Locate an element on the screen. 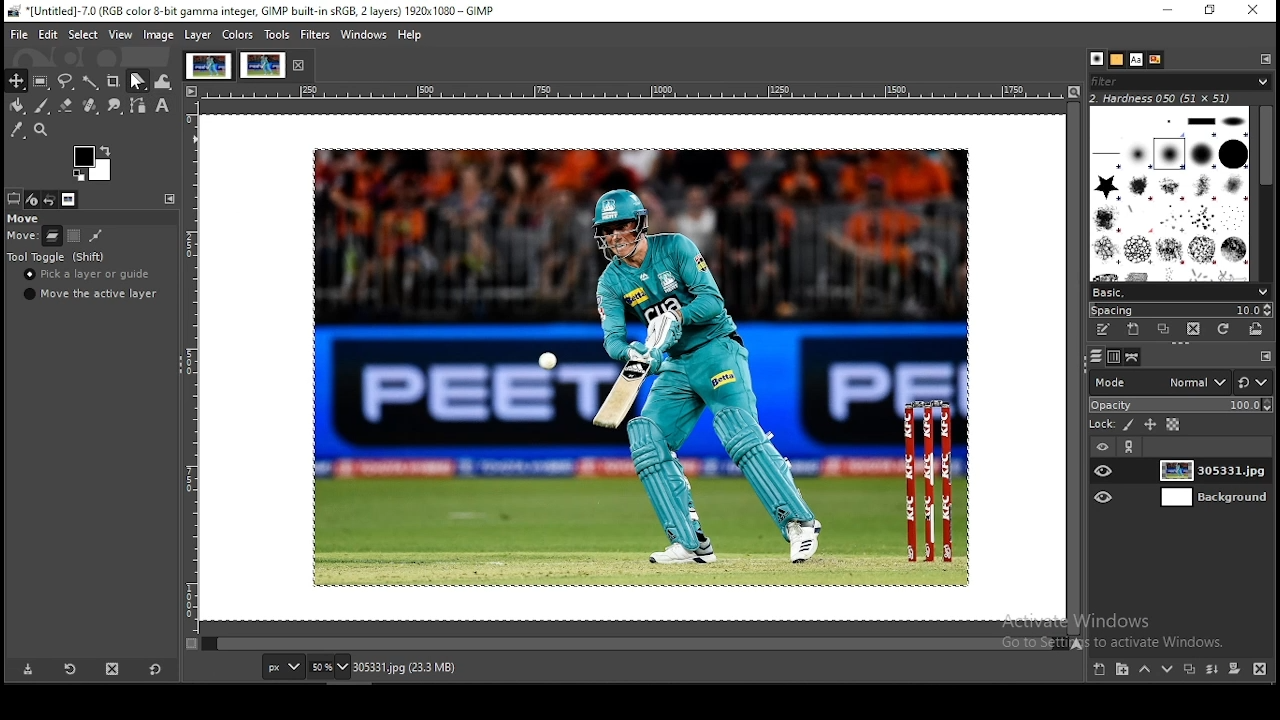 This screenshot has width=1280, height=720. new layer is located at coordinates (1099, 670).